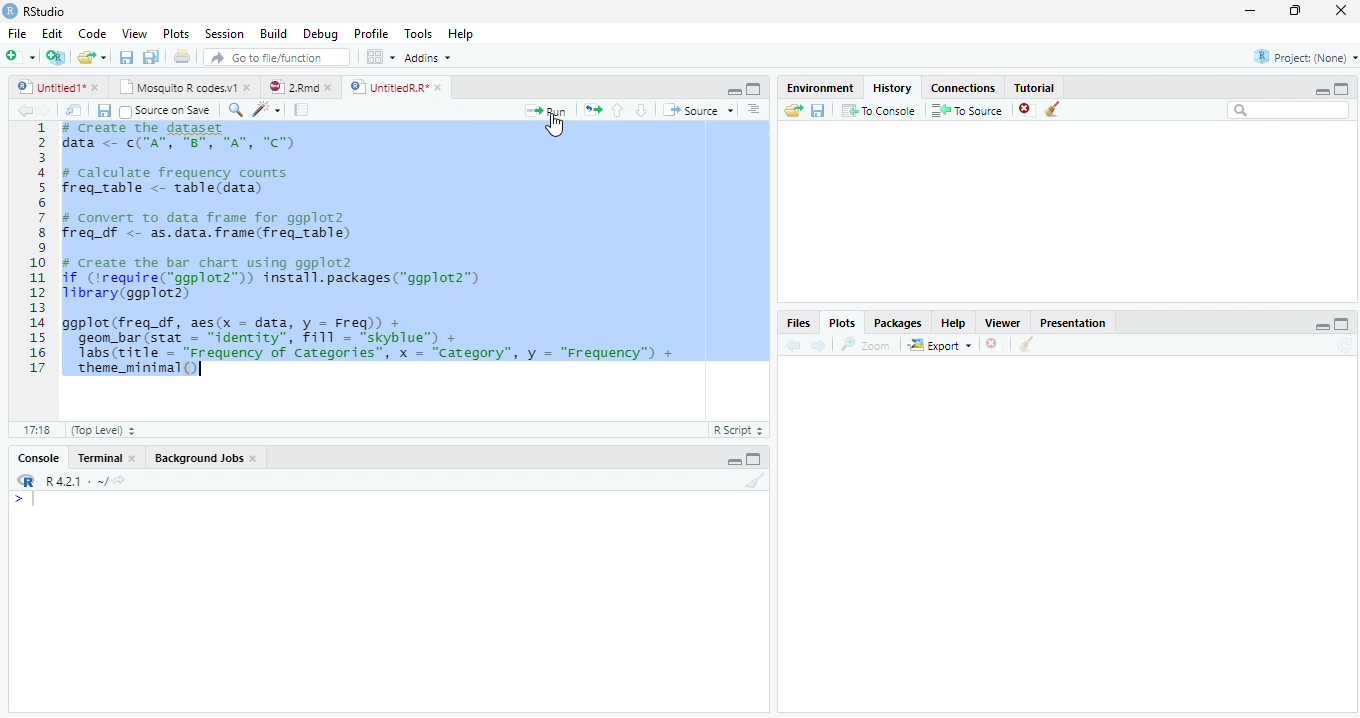 The image size is (1360, 718). What do you see at coordinates (133, 34) in the screenshot?
I see `View` at bounding box center [133, 34].